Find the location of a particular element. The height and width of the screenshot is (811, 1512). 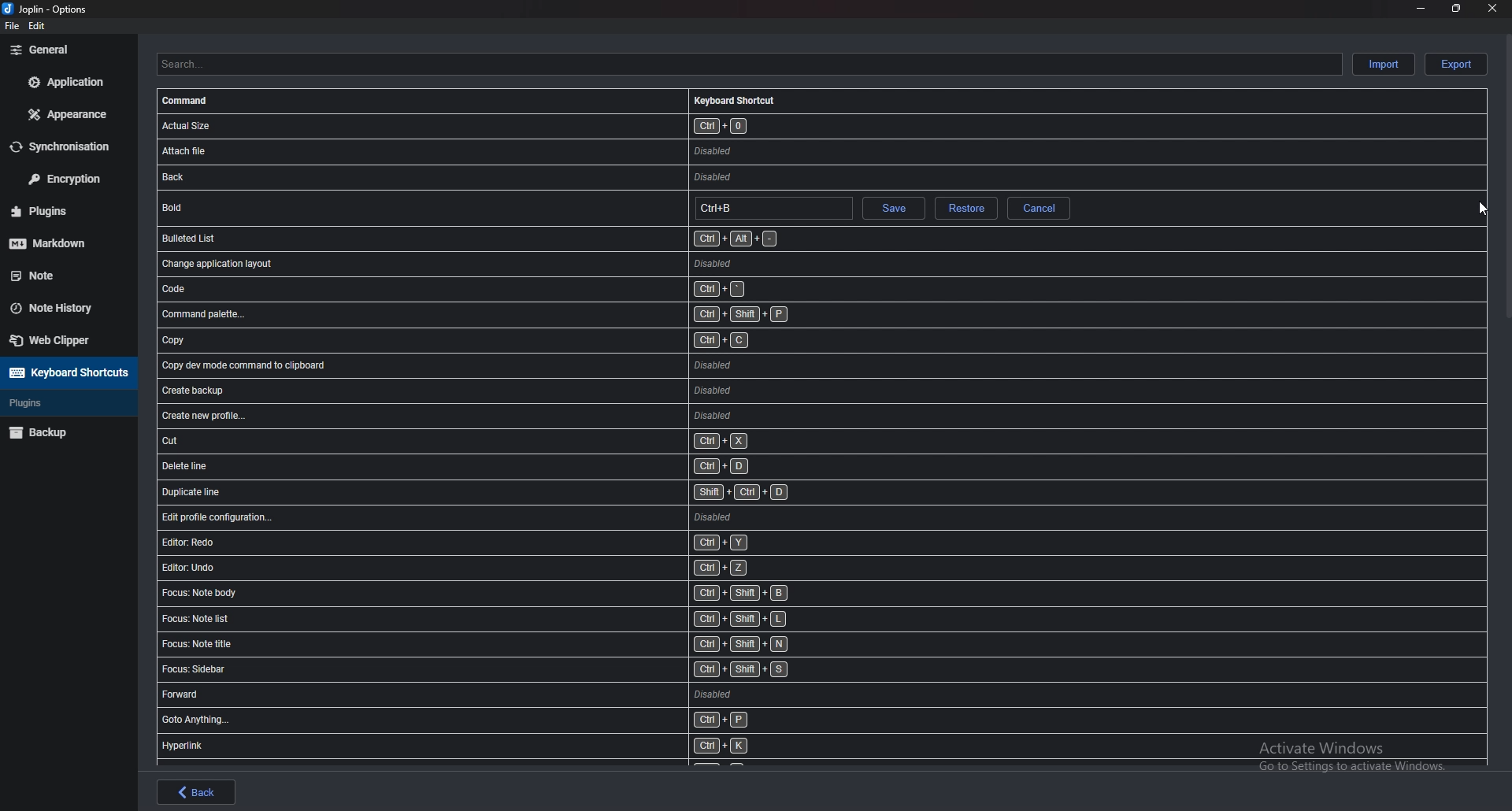

markdown is located at coordinates (61, 243).